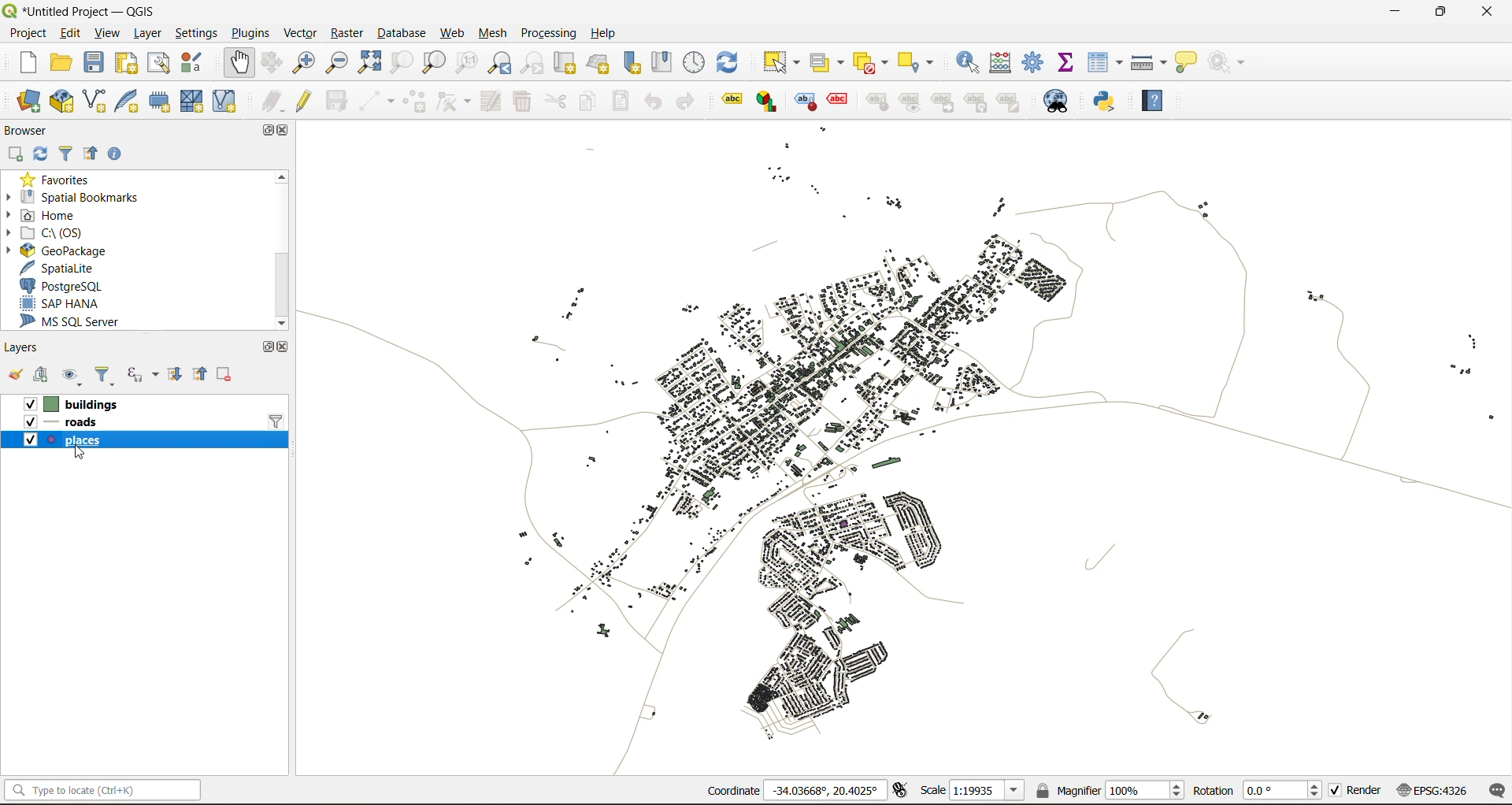 The image size is (1512, 805). What do you see at coordinates (80, 322) in the screenshot?
I see `ms sql server` at bounding box center [80, 322].